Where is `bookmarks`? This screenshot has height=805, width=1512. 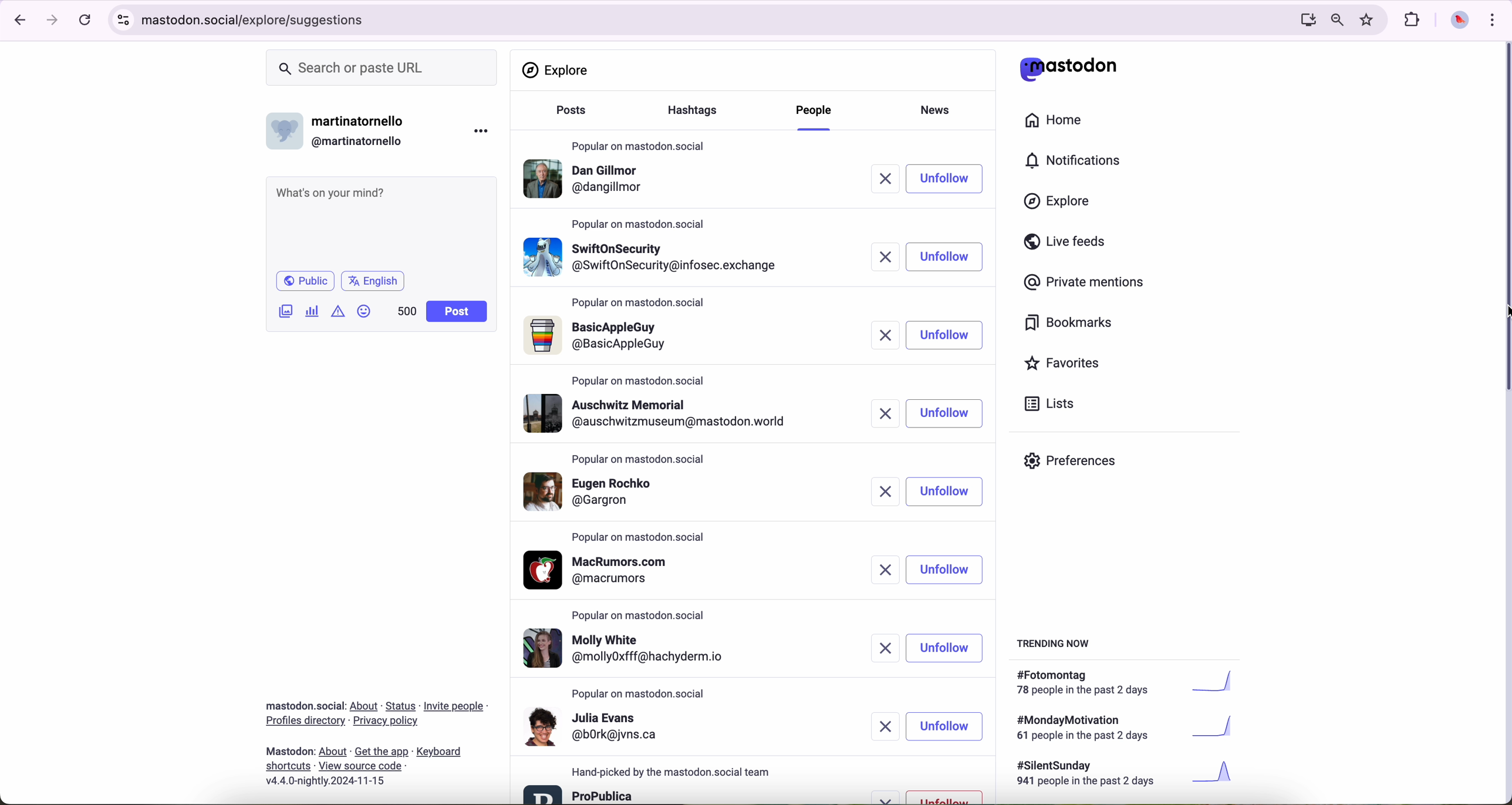
bookmarks is located at coordinates (1069, 325).